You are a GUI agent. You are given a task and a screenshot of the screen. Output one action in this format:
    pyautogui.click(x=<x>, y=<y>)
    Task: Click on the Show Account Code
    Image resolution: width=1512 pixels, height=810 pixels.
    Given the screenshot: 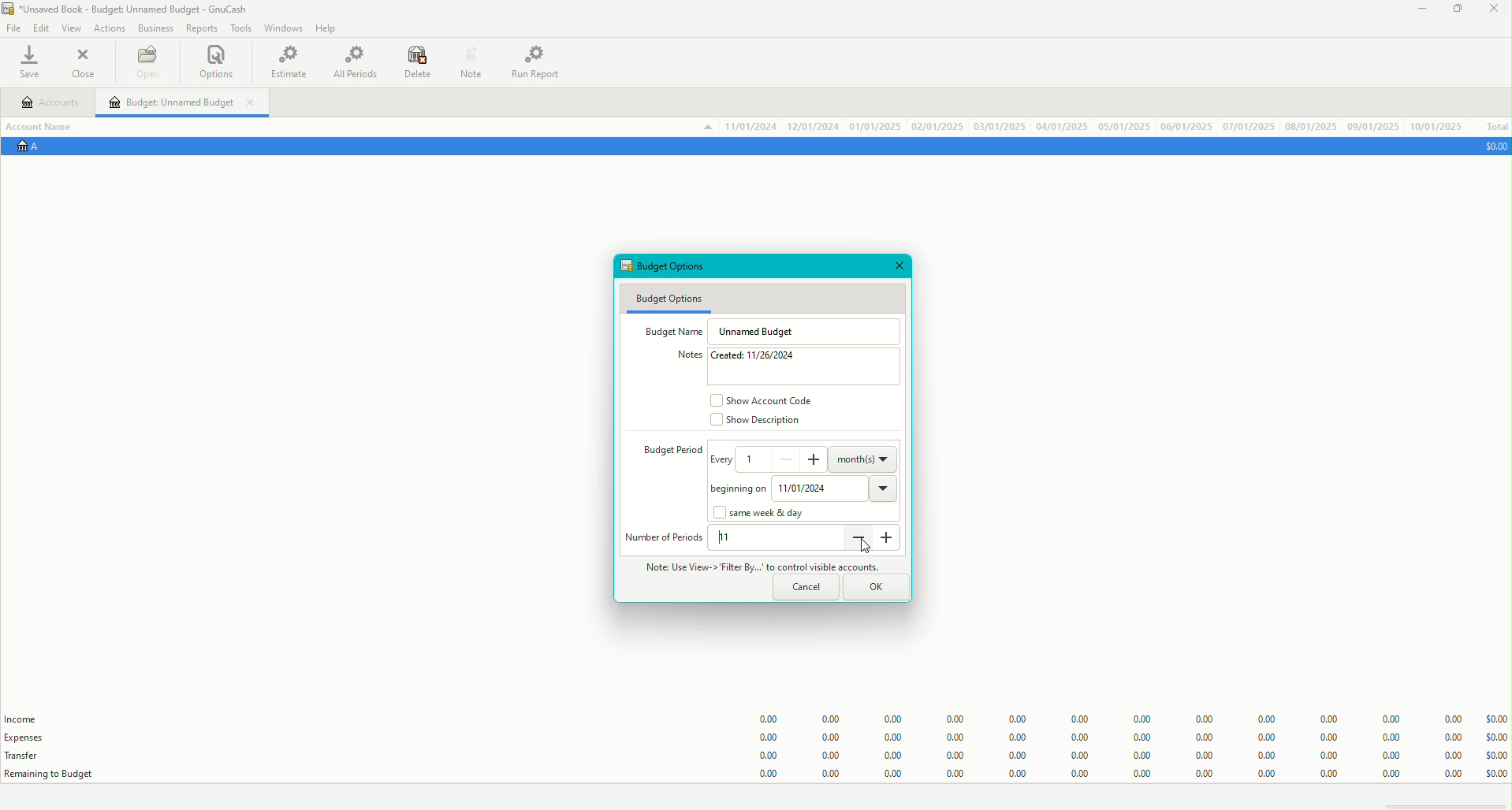 What is the action you would take?
    pyautogui.click(x=765, y=399)
    